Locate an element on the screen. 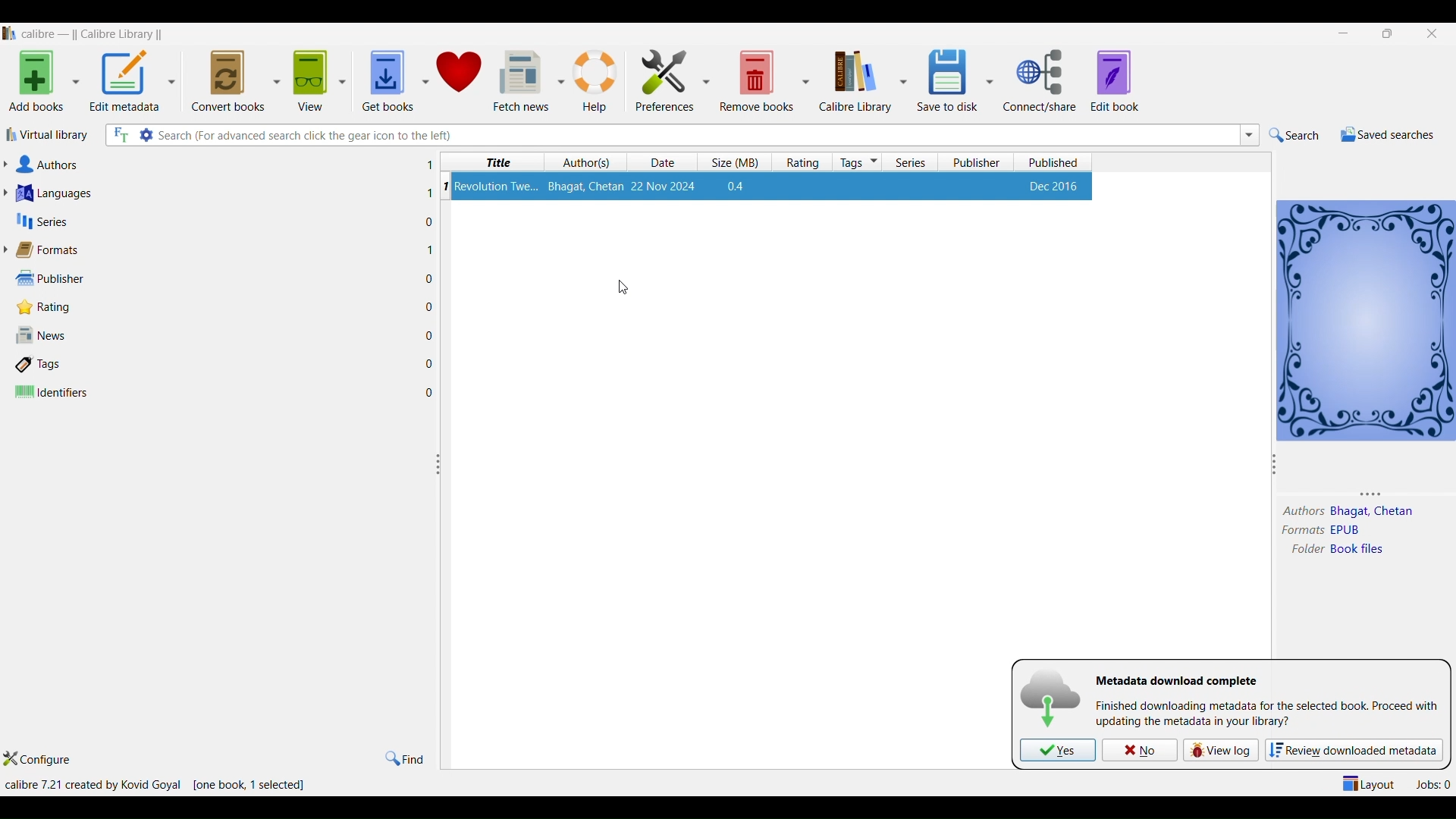  folder name is located at coordinates (1359, 553).